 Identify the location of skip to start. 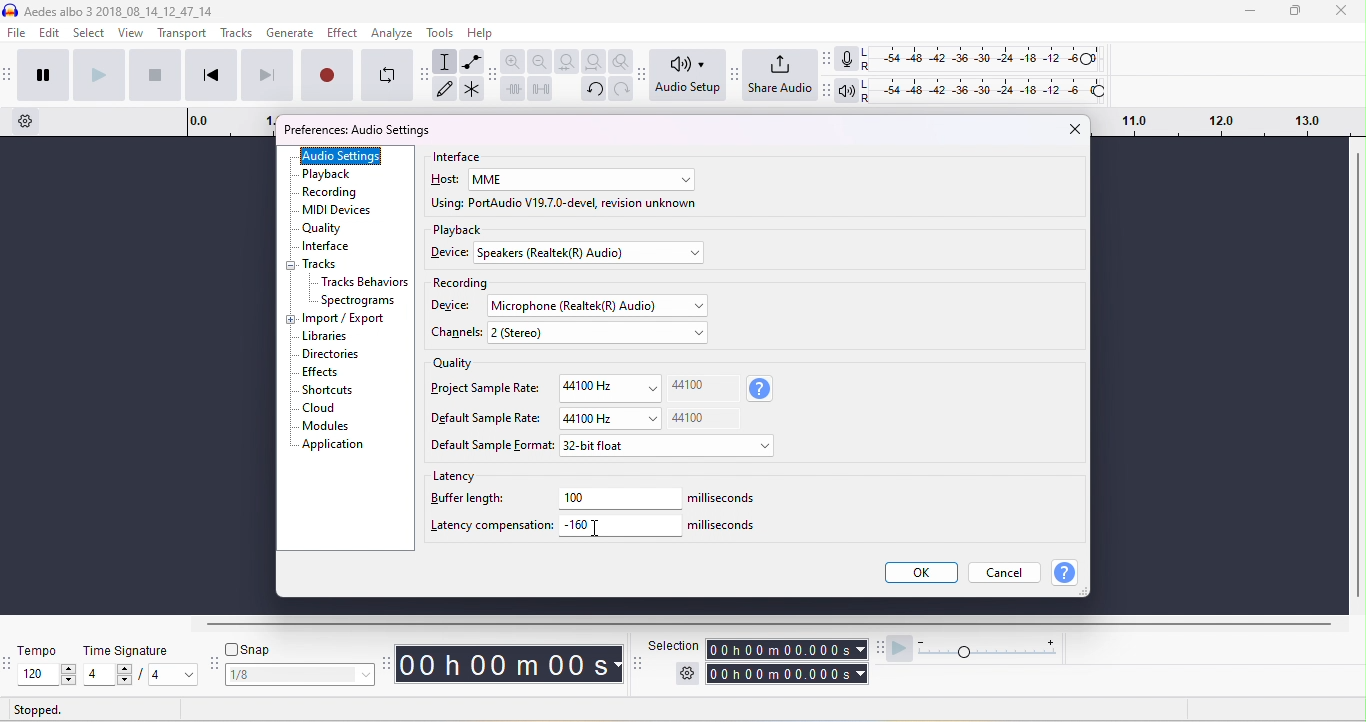
(209, 74).